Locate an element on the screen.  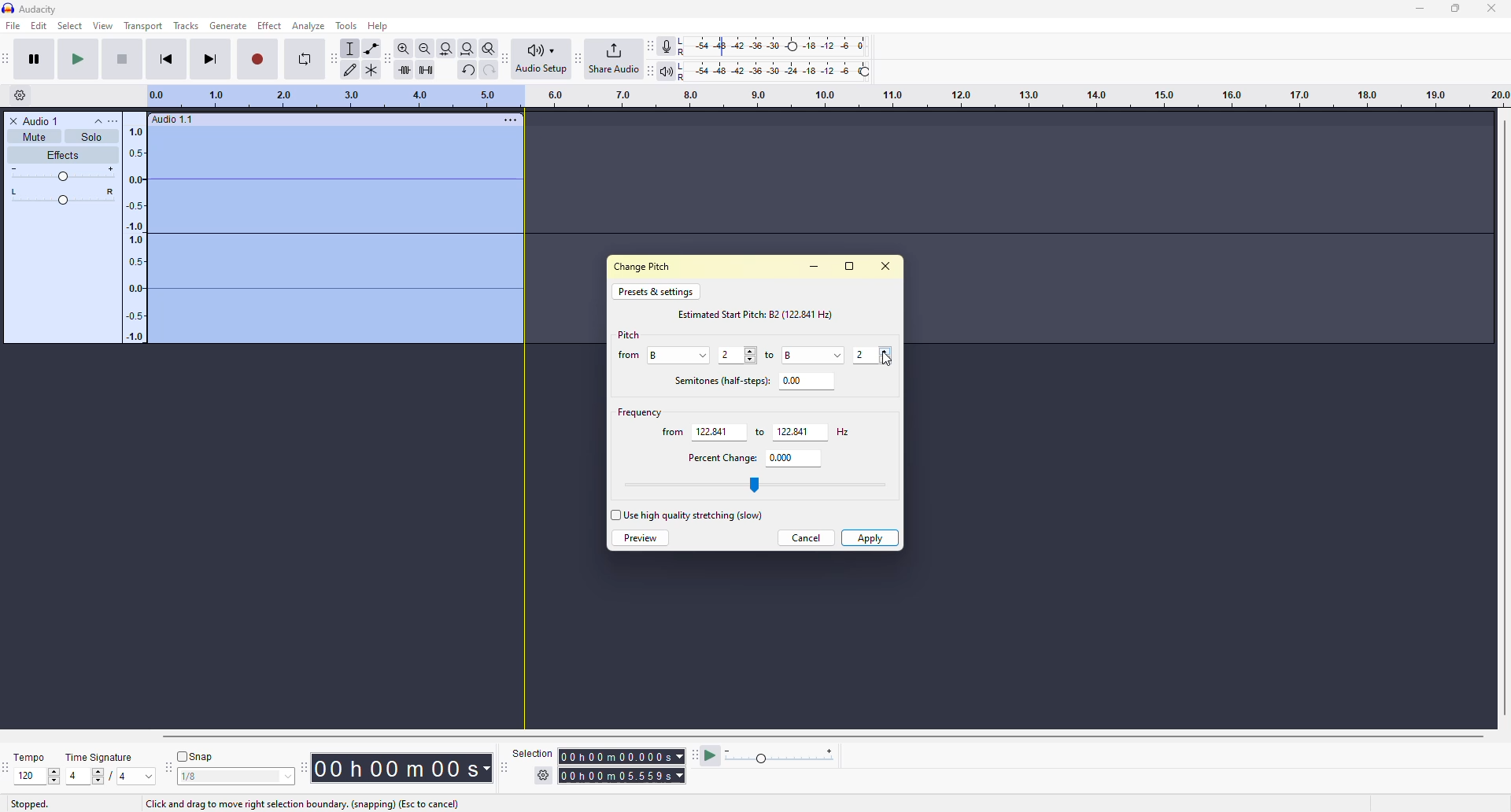
zoom out is located at coordinates (424, 48).